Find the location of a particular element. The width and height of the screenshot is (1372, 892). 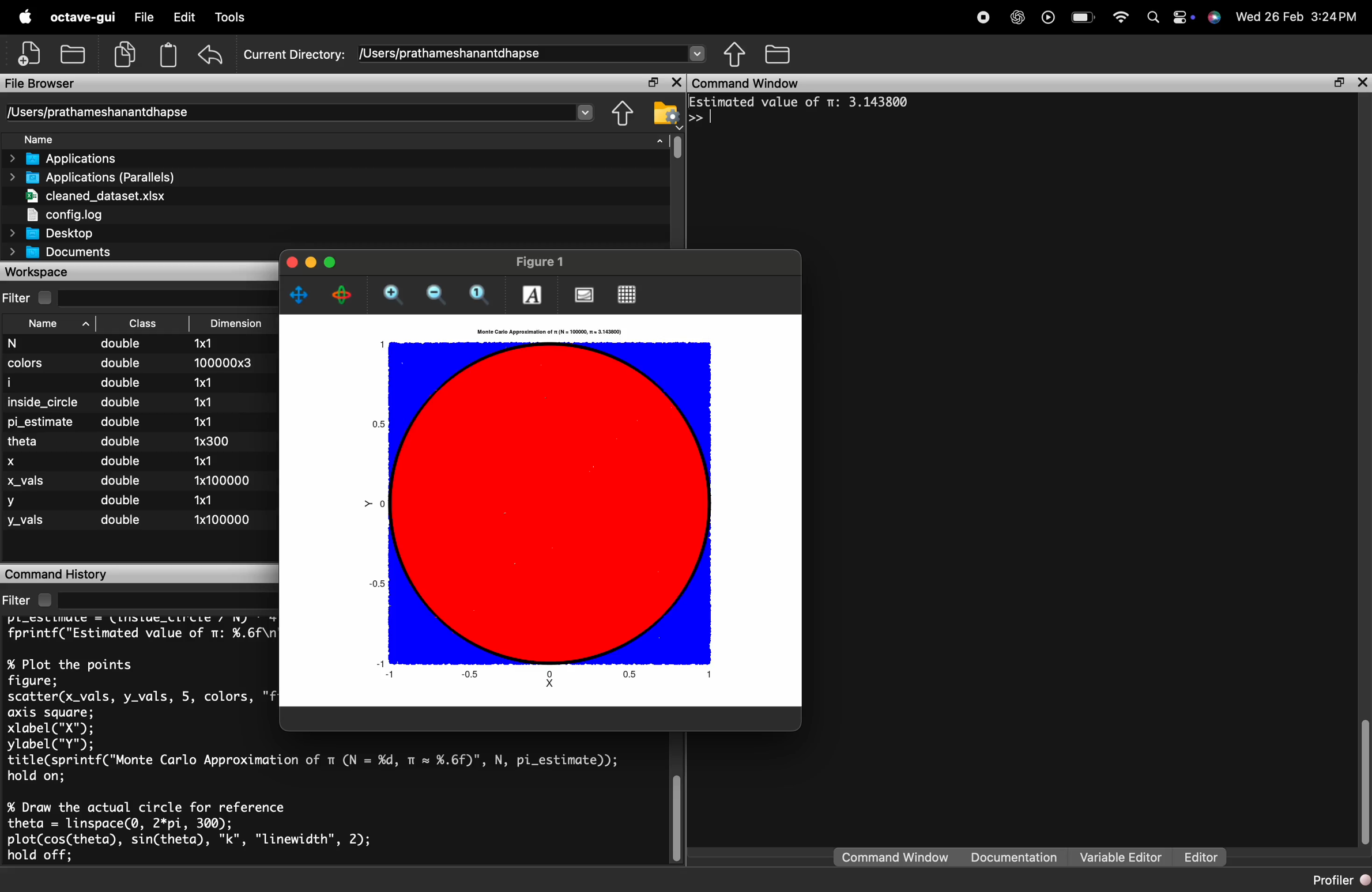

Dimension is located at coordinates (233, 323).